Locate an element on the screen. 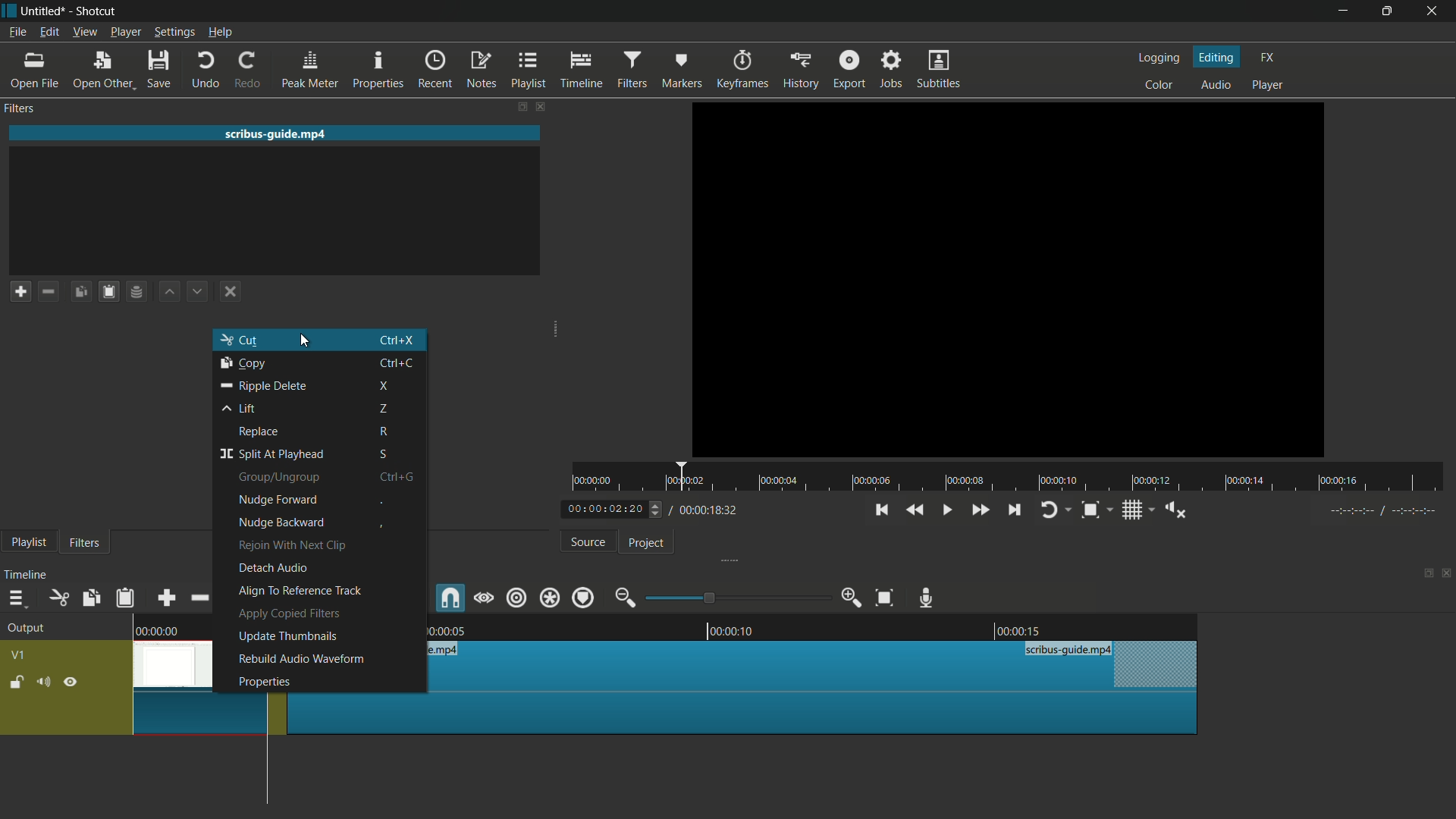  paste is located at coordinates (124, 600).